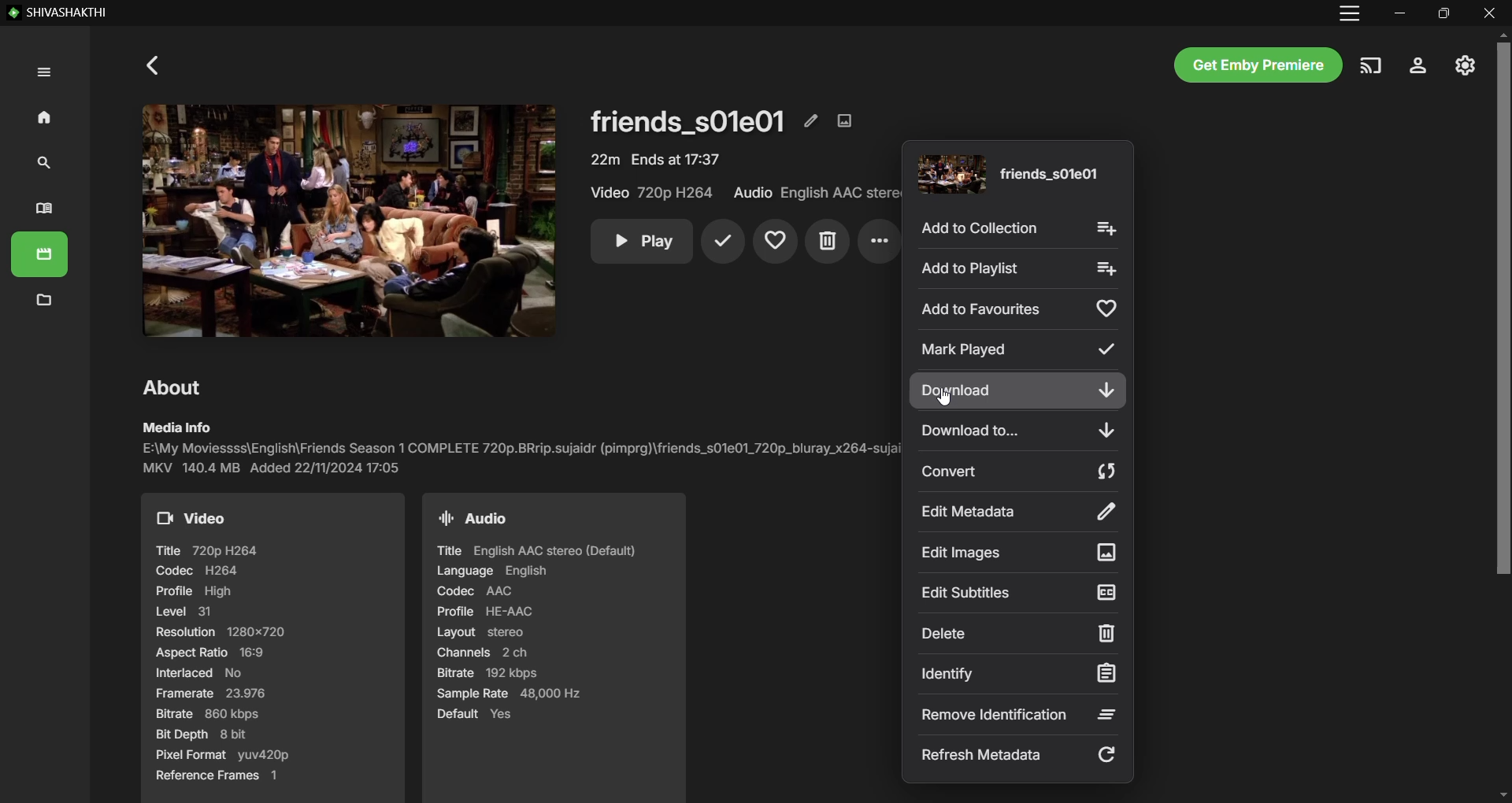 Image resolution: width=1512 pixels, height=803 pixels. What do you see at coordinates (688, 120) in the screenshot?
I see `TV episode name and details` at bounding box center [688, 120].